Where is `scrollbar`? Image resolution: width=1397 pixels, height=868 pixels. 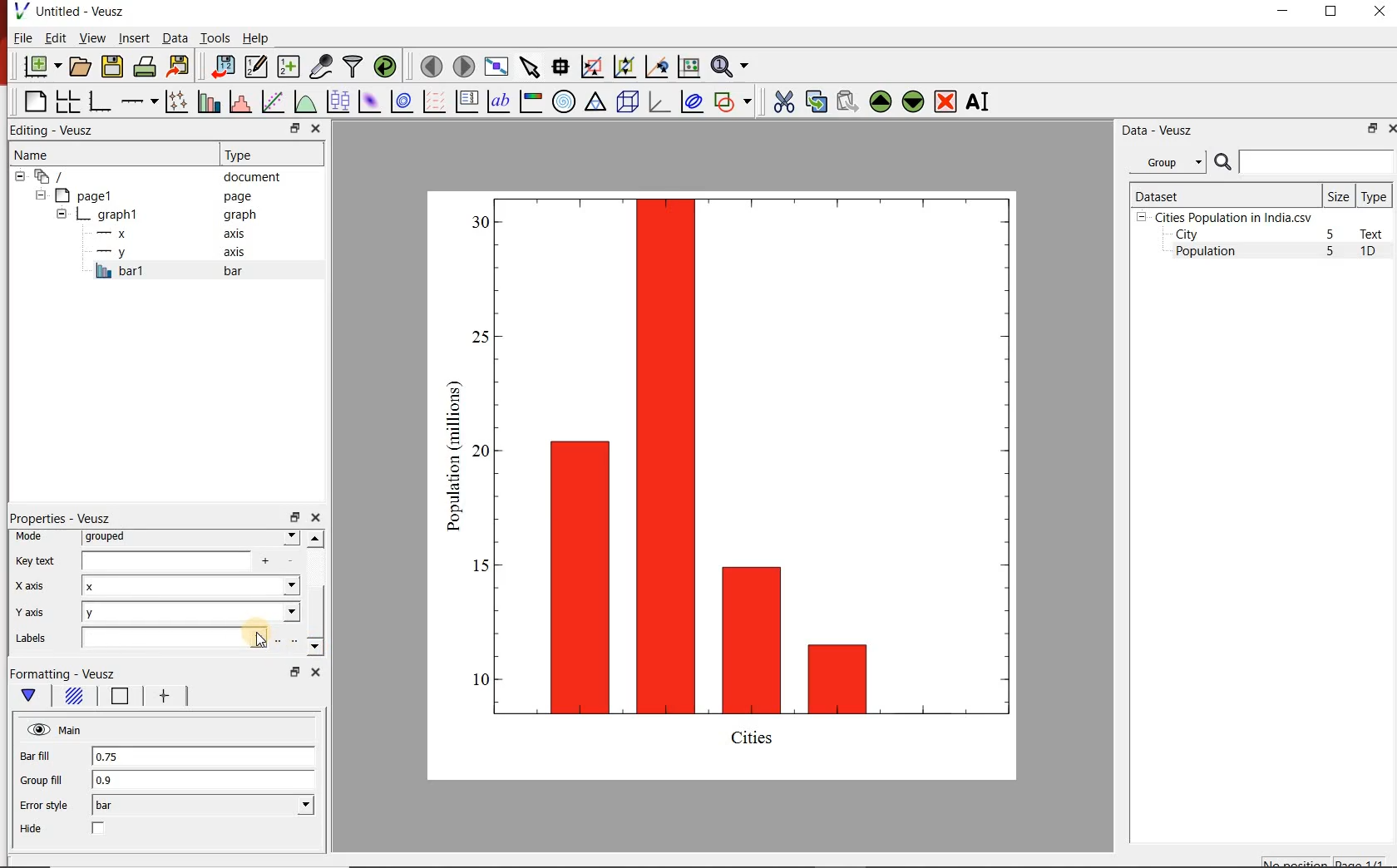 scrollbar is located at coordinates (315, 594).